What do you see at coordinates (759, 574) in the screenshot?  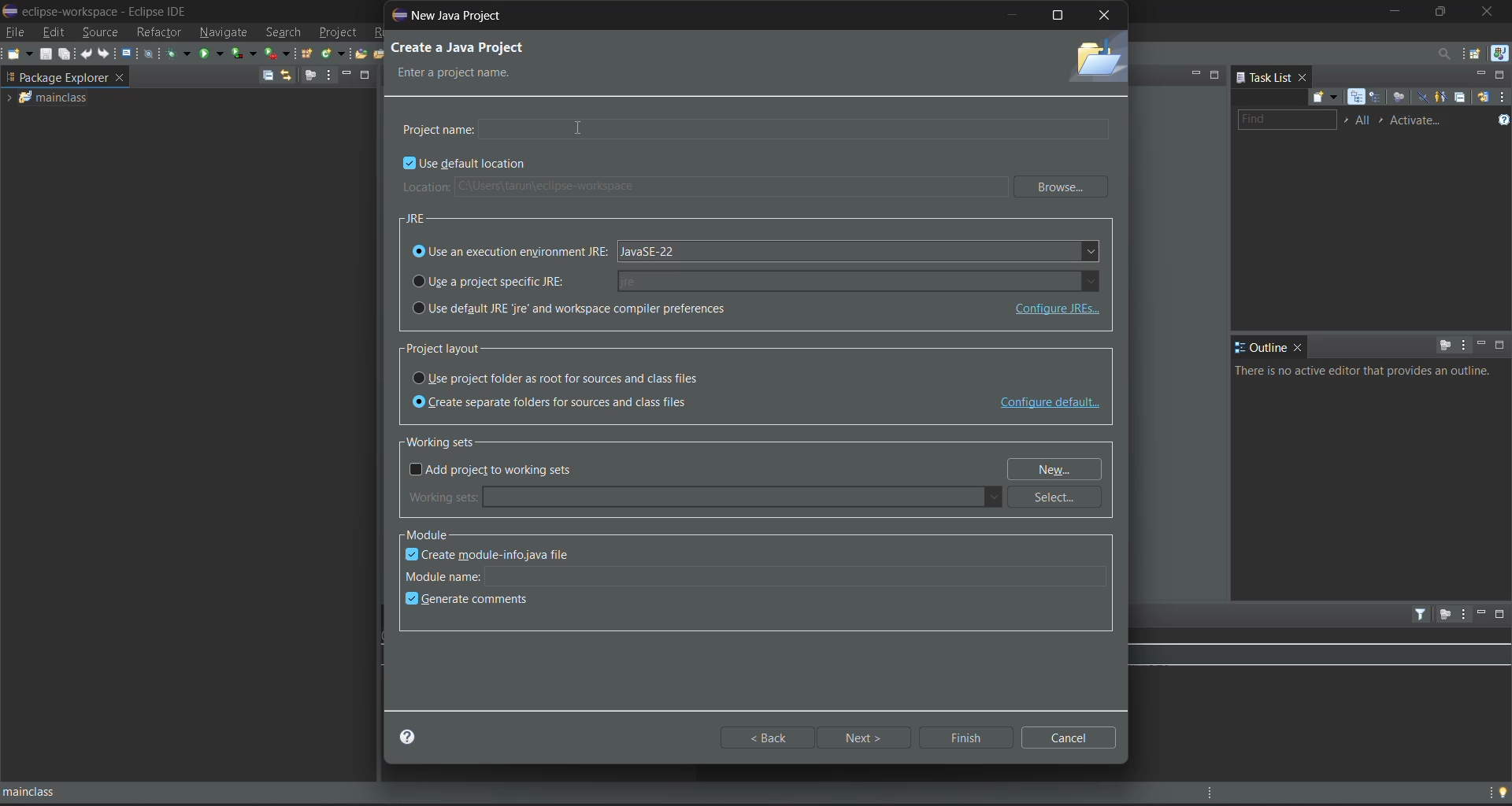 I see `module name` at bounding box center [759, 574].